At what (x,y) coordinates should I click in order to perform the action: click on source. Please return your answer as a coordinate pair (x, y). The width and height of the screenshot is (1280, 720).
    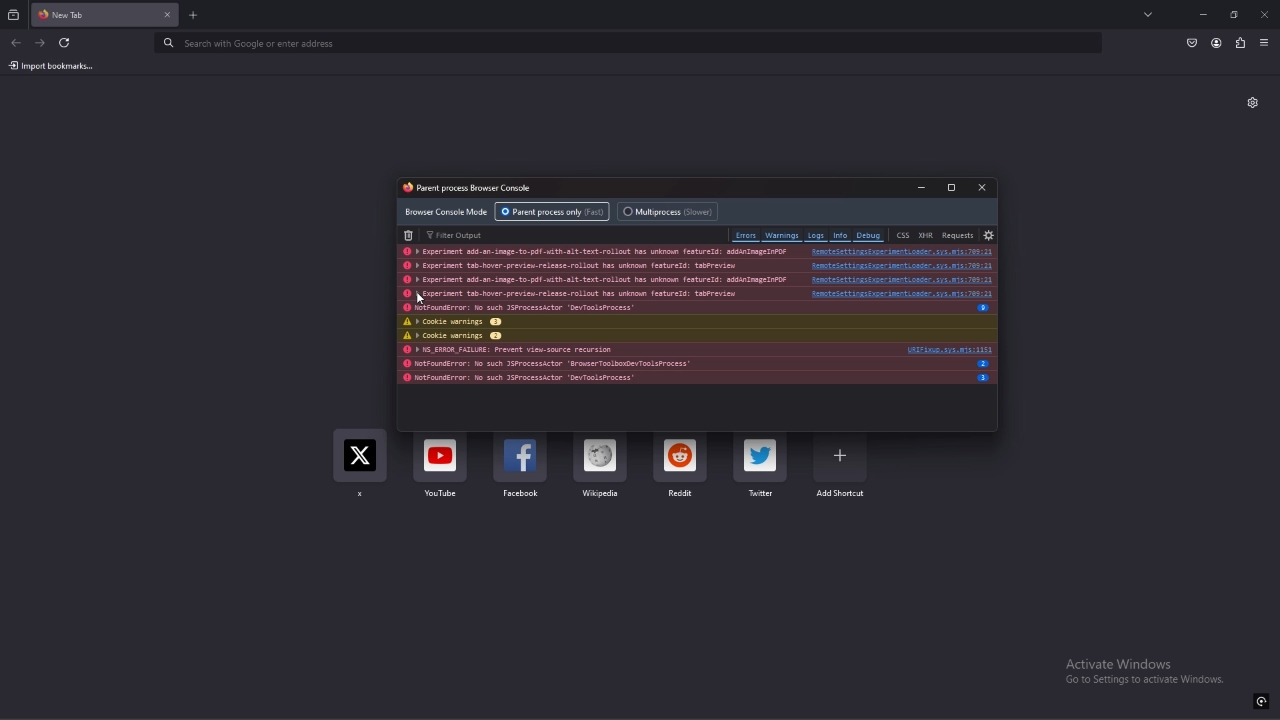
    Looking at the image, I should click on (902, 265).